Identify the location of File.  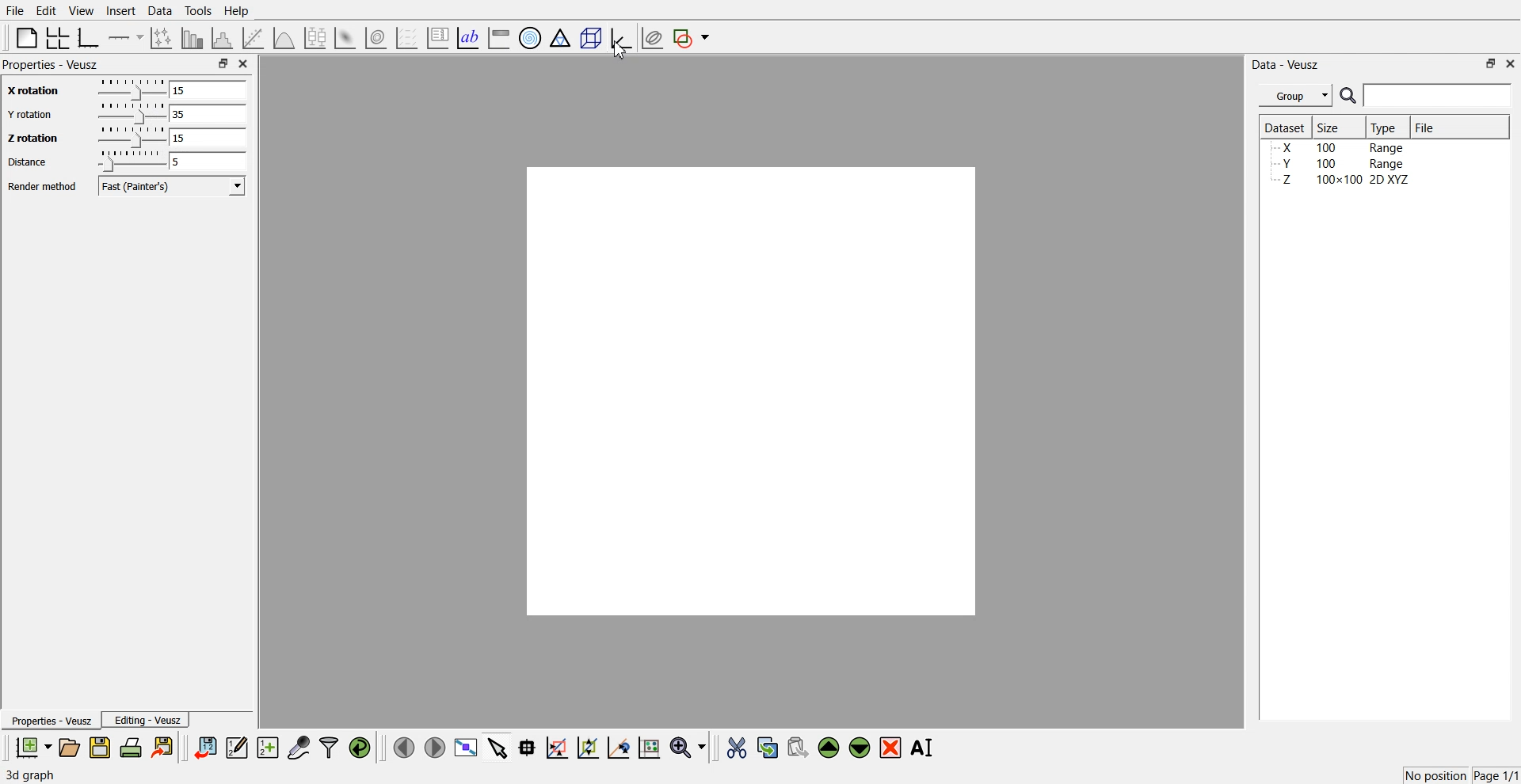
(1427, 127).